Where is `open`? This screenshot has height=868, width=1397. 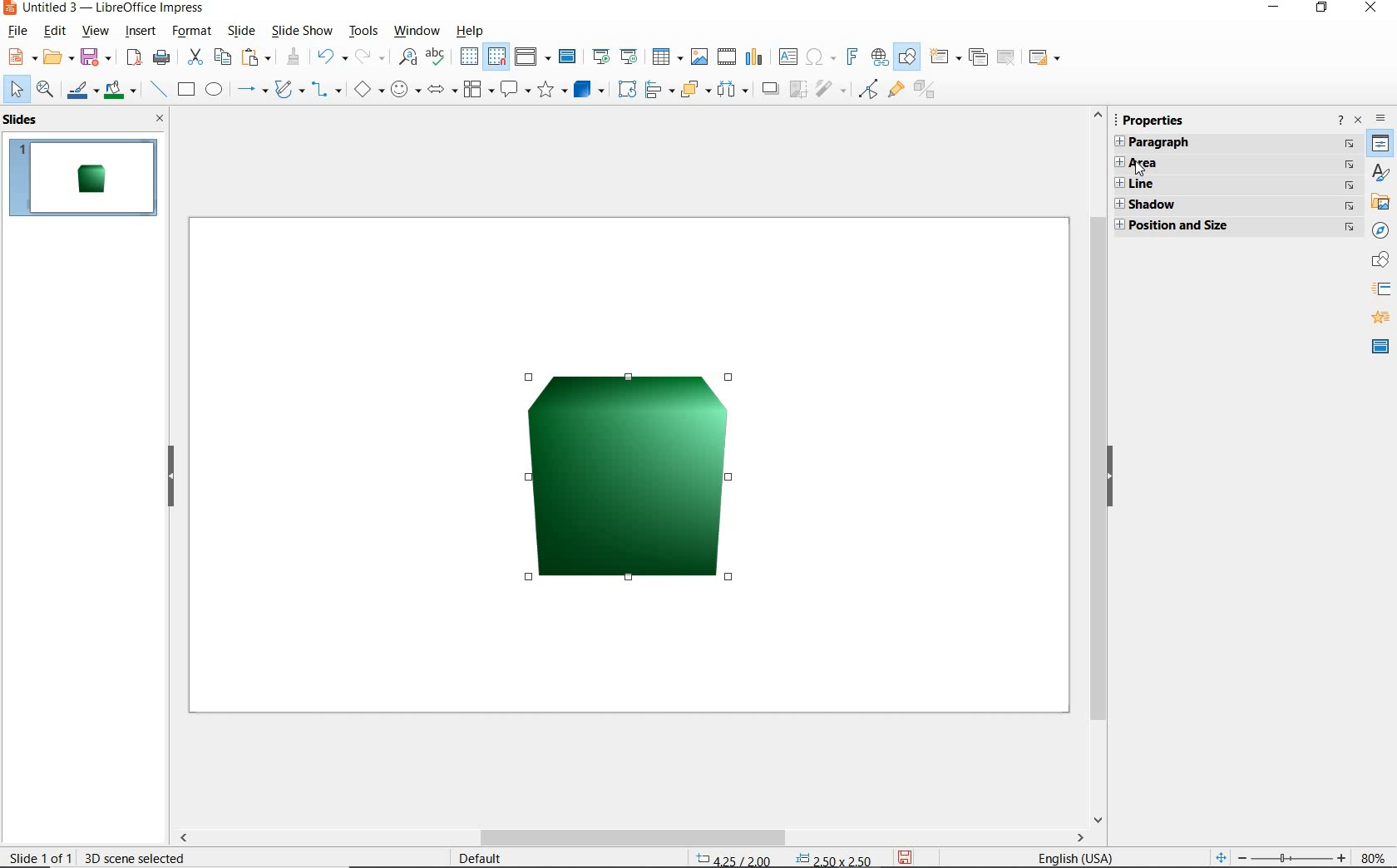 open is located at coordinates (57, 57).